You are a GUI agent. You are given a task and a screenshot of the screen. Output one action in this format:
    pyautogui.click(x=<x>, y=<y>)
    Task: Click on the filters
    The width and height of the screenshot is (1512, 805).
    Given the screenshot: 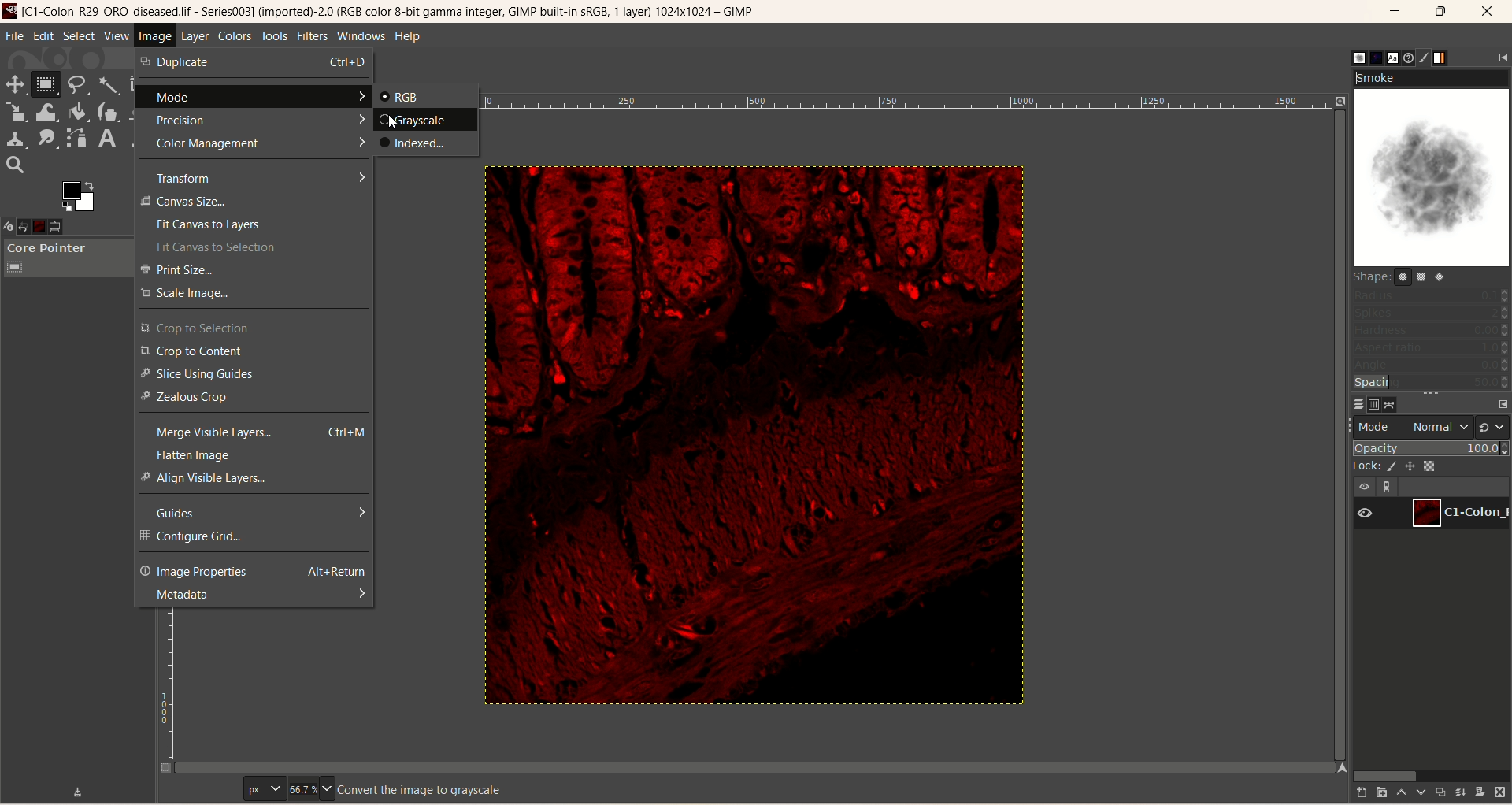 What is the action you would take?
    pyautogui.click(x=313, y=36)
    